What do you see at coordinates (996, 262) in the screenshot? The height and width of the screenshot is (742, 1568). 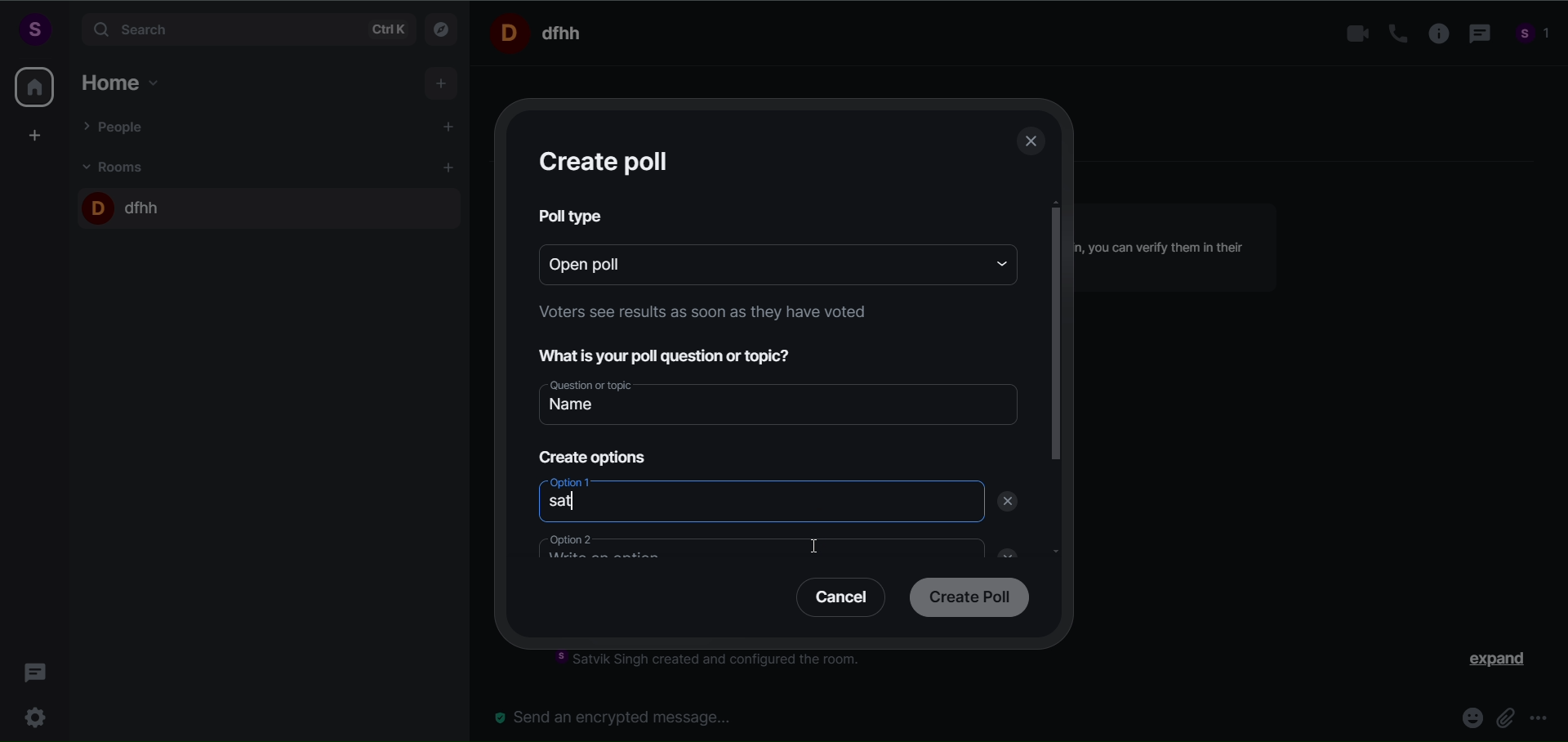 I see `poll type dropdown` at bounding box center [996, 262].